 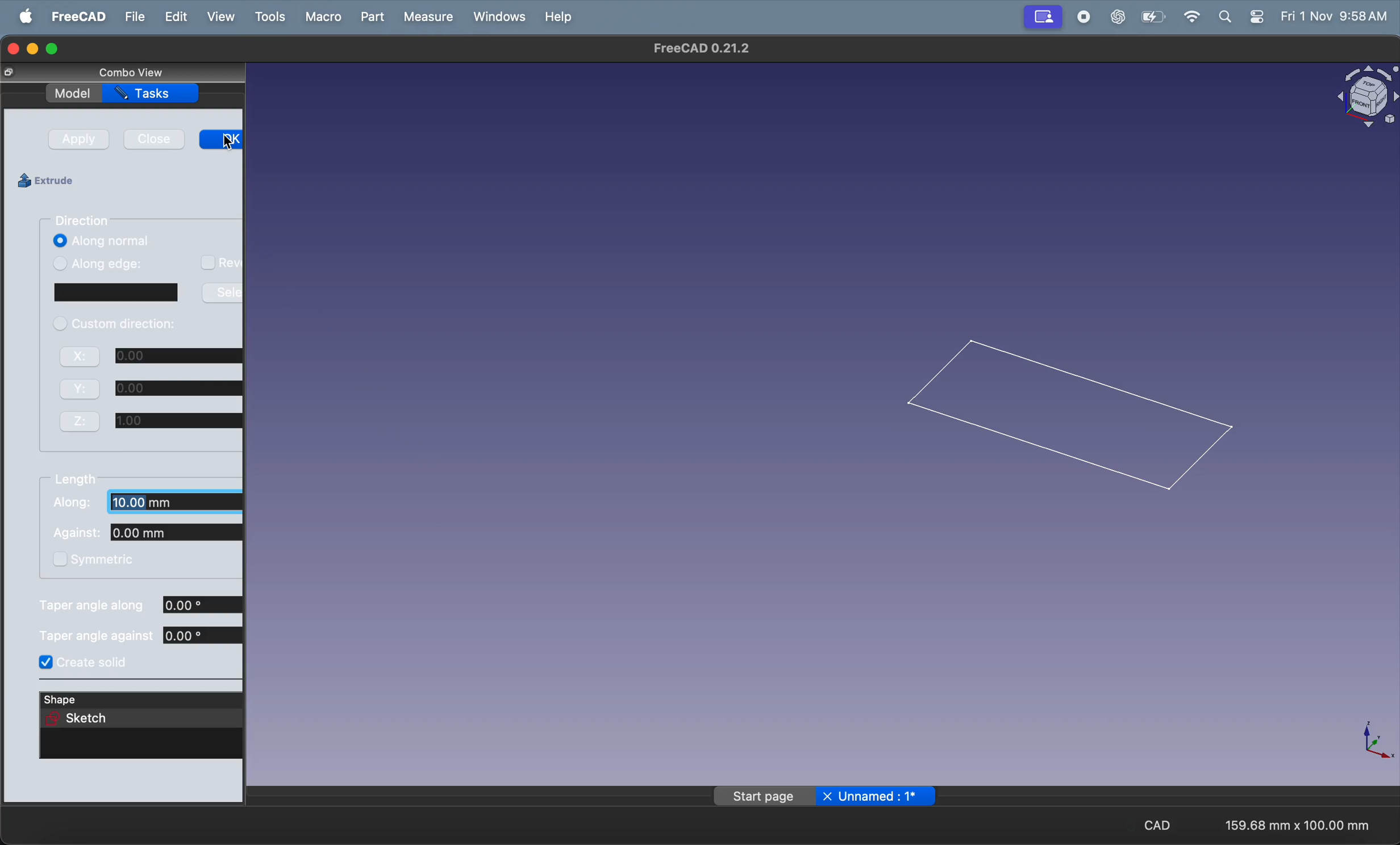 What do you see at coordinates (699, 48) in the screenshot?
I see `freeca title` at bounding box center [699, 48].